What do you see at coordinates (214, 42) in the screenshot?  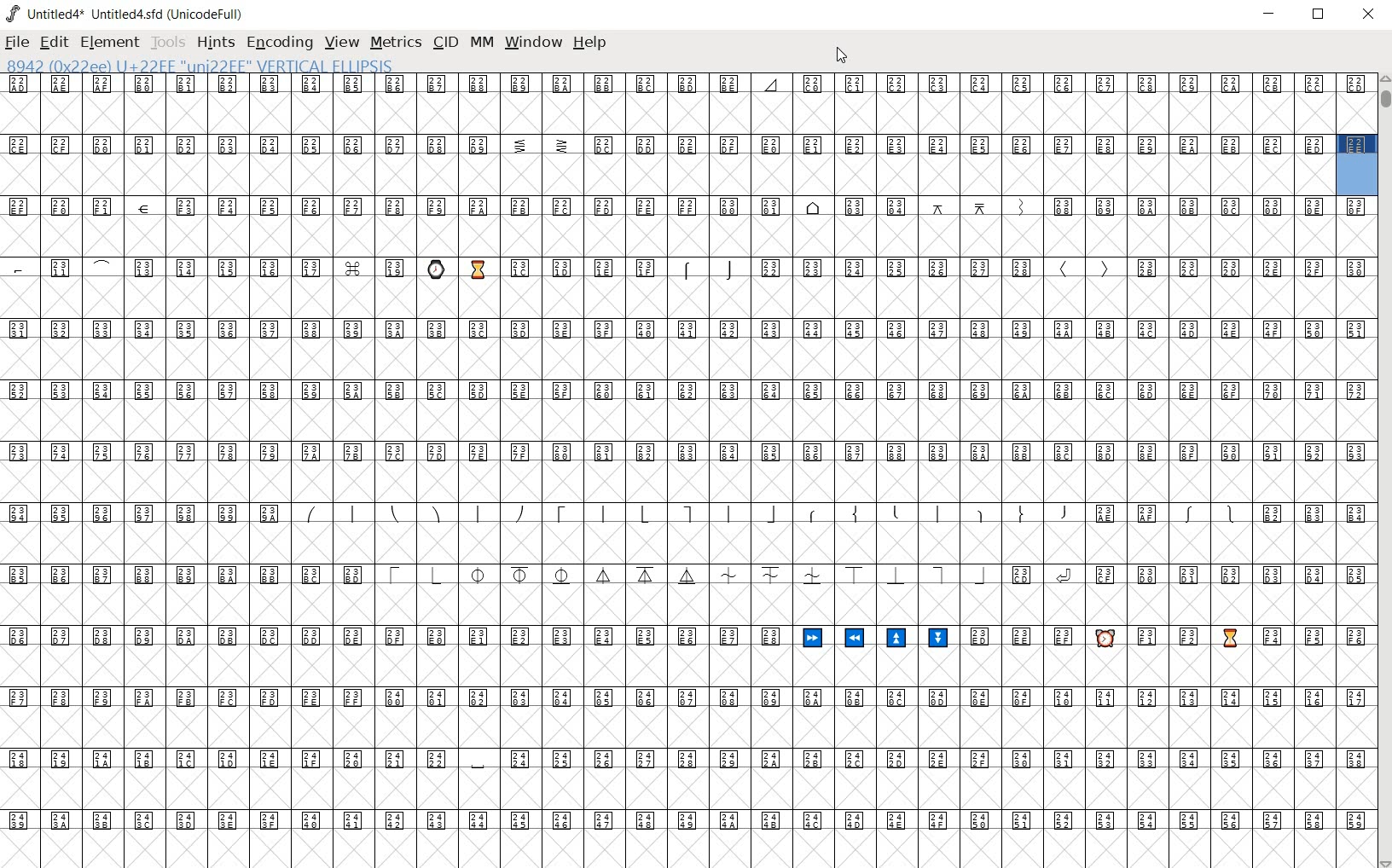 I see `HINTS` at bounding box center [214, 42].